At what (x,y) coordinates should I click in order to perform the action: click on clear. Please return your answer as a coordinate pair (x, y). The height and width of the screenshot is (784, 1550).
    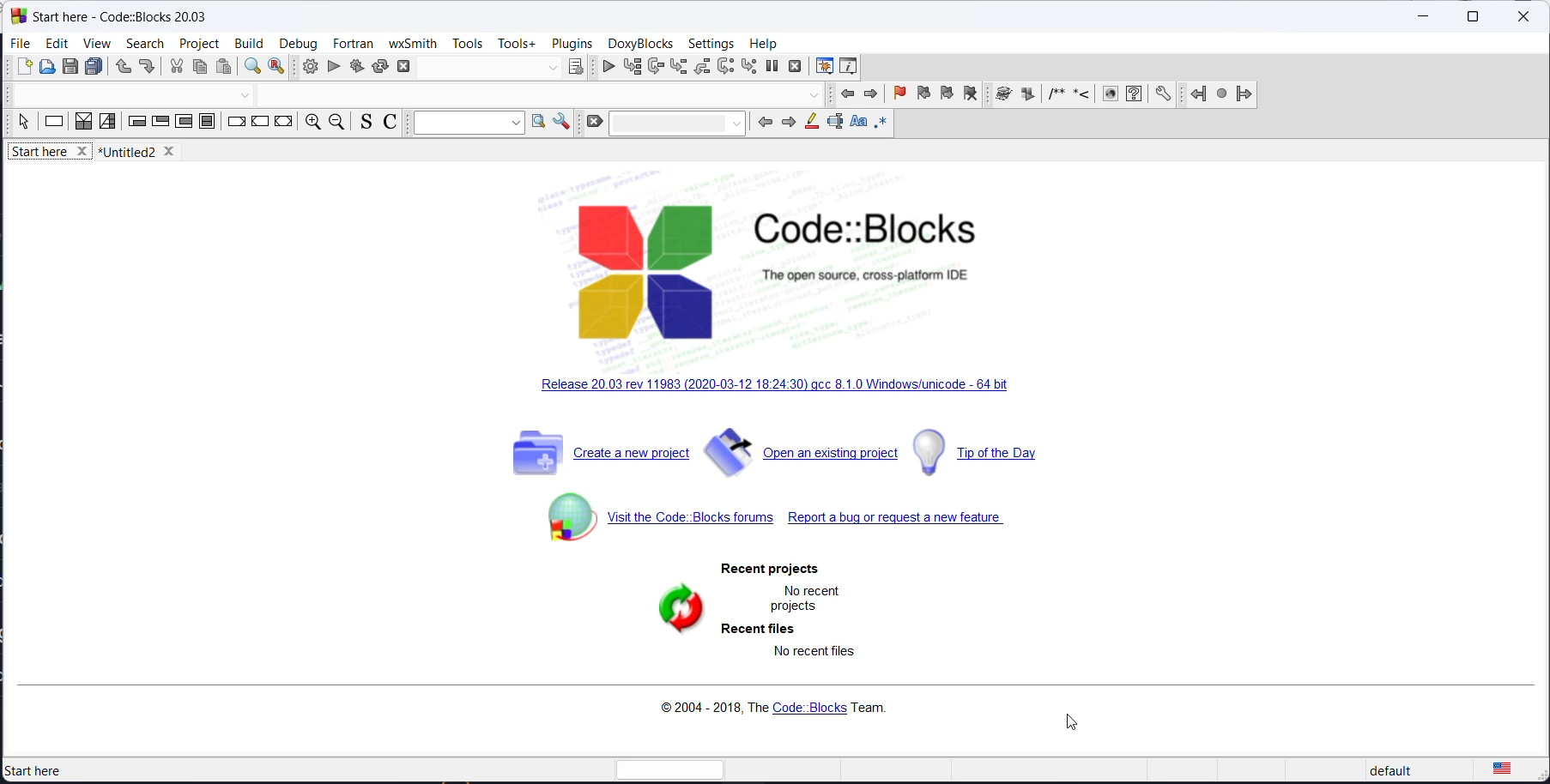
    Looking at the image, I should click on (593, 123).